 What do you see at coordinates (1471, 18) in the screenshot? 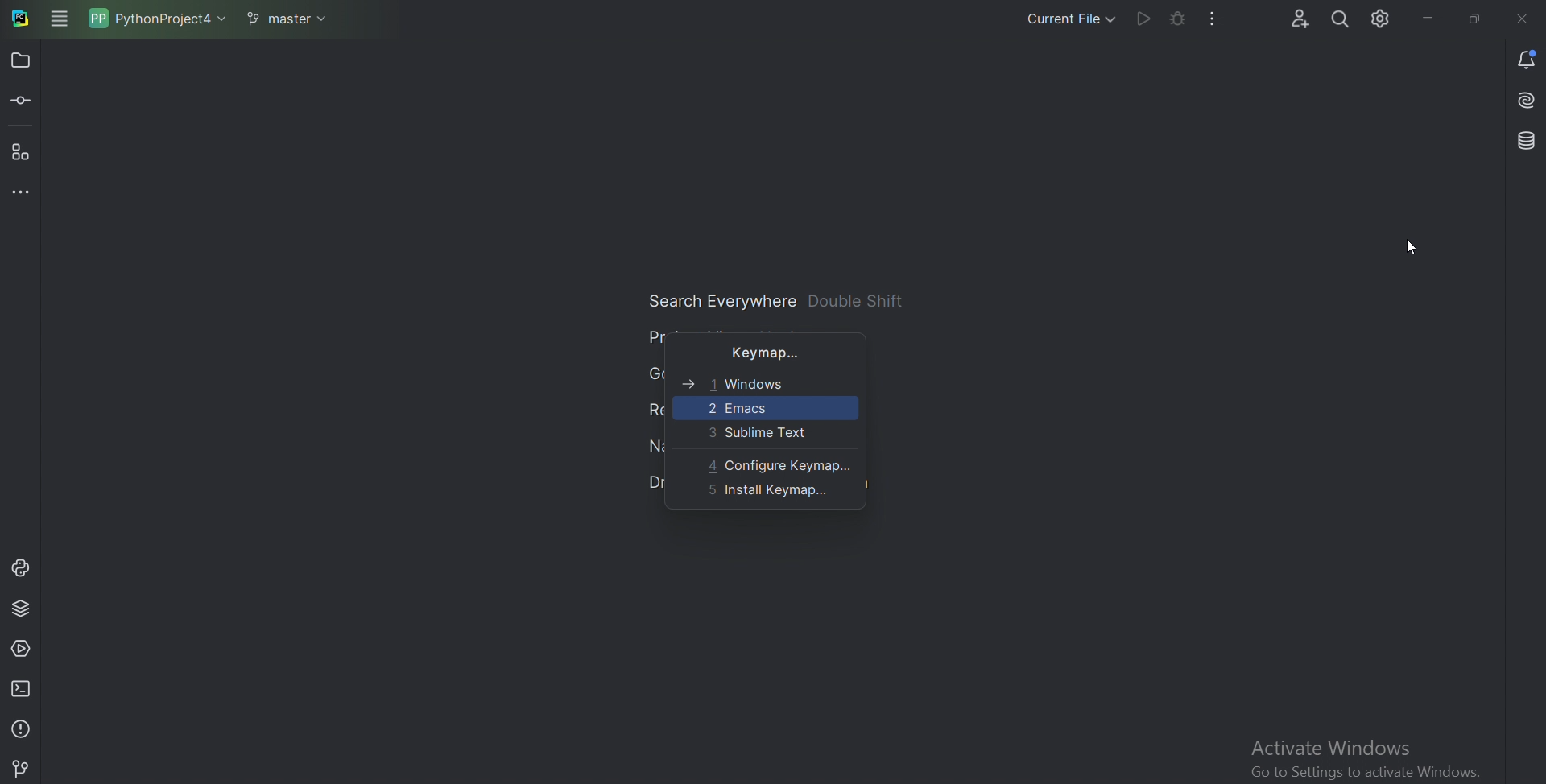
I see `Restore down` at bounding box center [1471, 18].